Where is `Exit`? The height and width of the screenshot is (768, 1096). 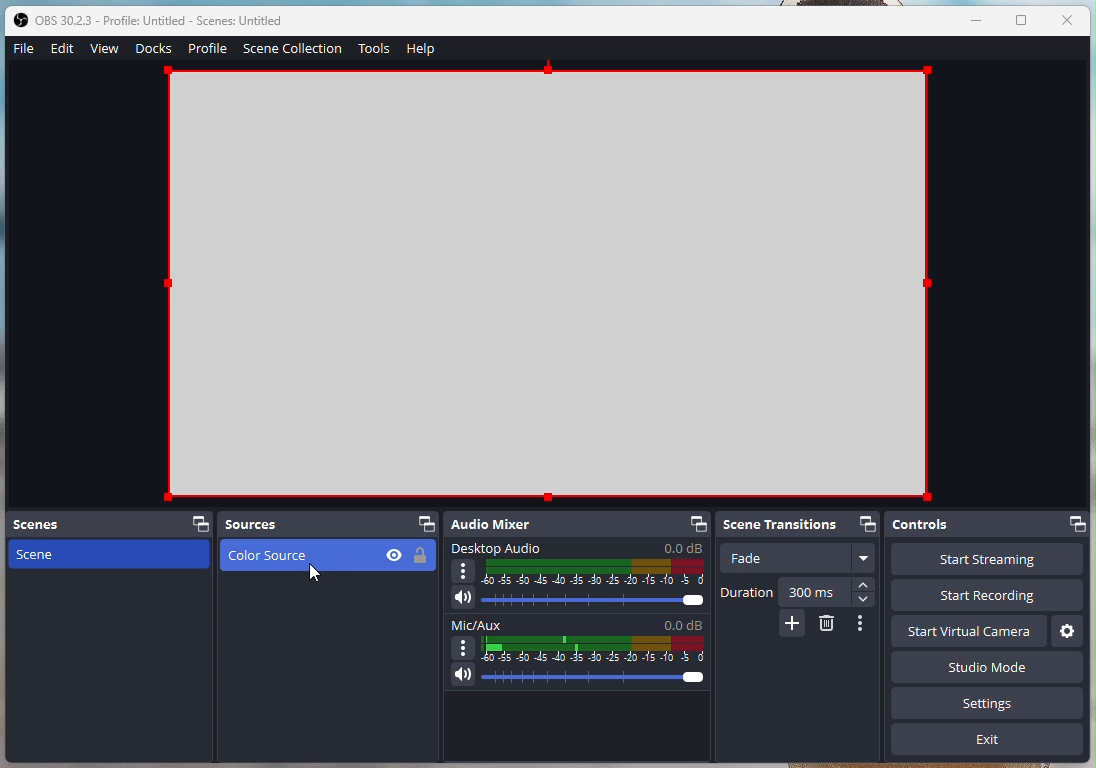
Exit is located at coordinates (987, 743).